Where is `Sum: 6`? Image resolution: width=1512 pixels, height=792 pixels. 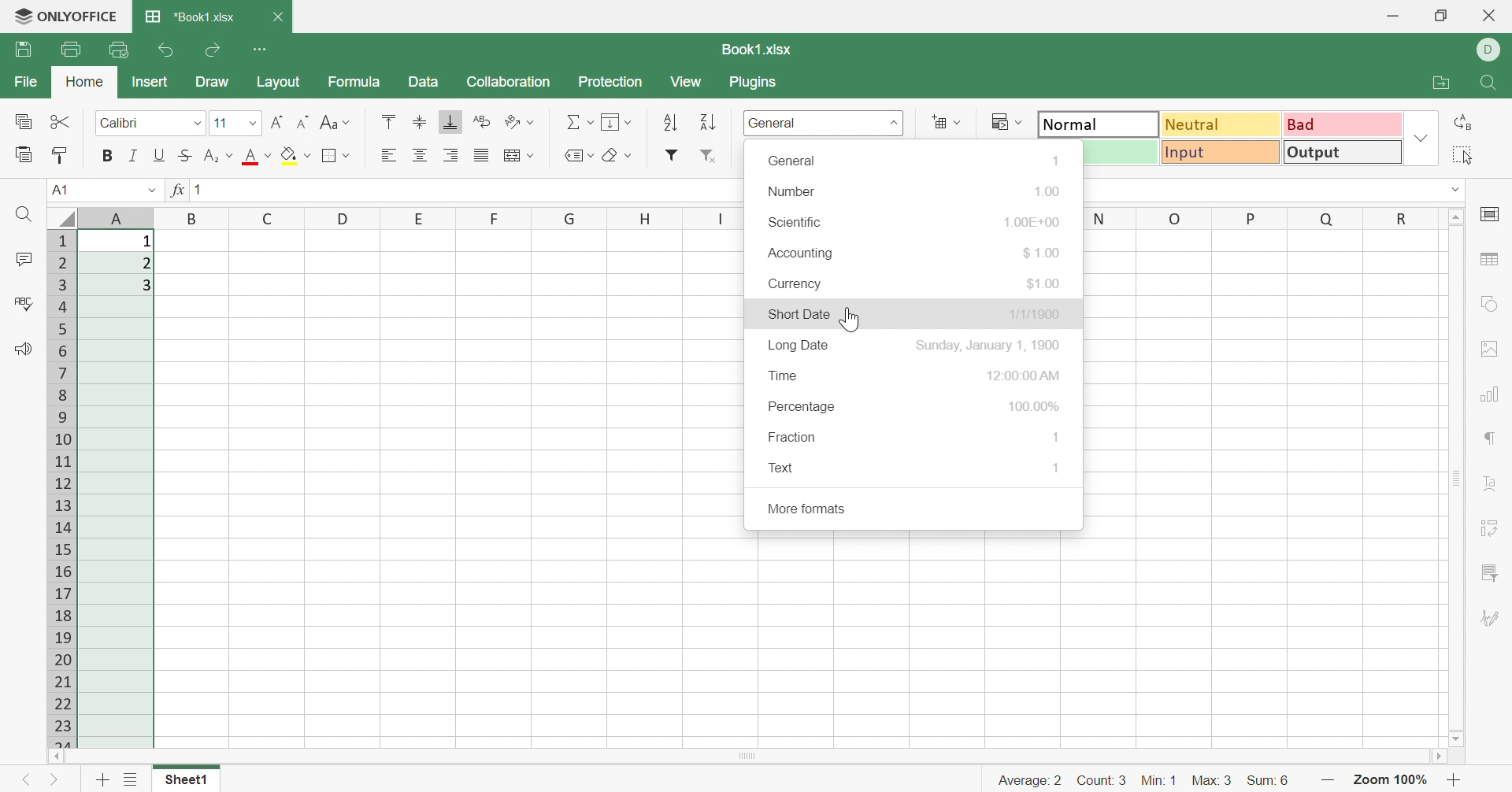
Sum: 6 is located at coordinates (1270, 783).